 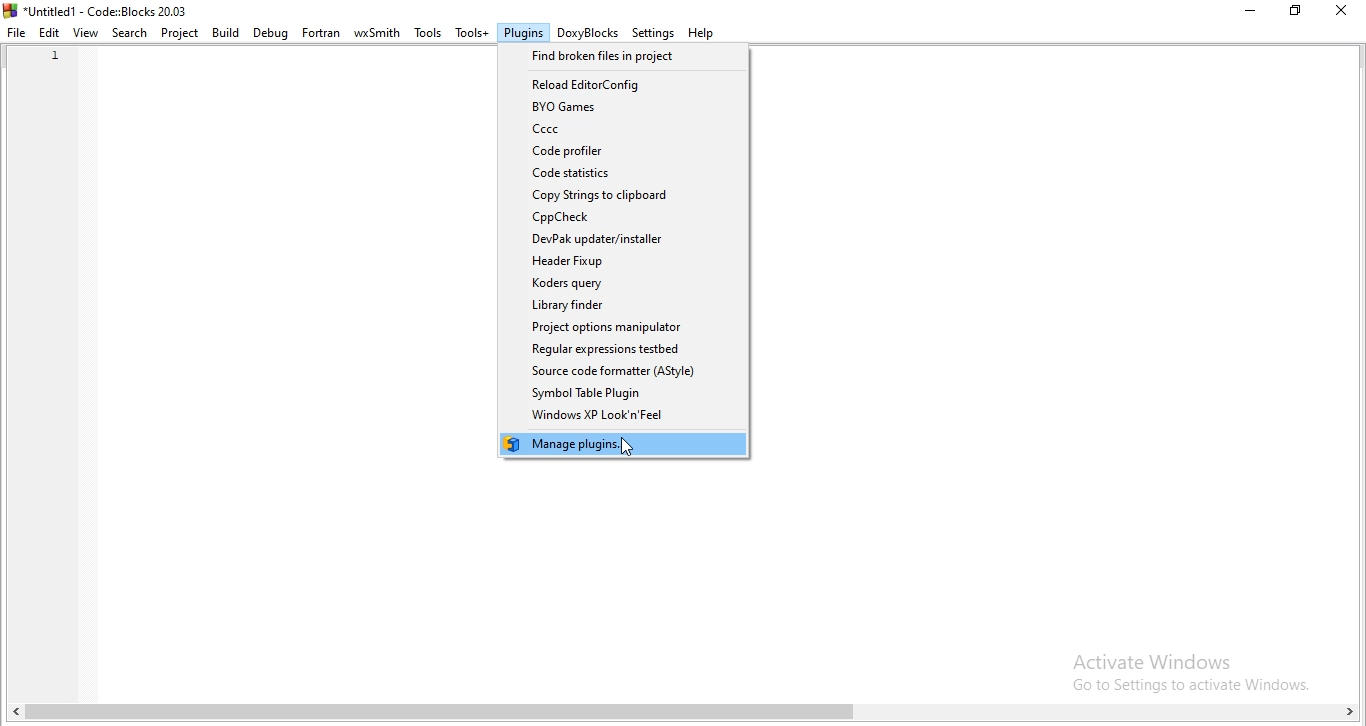 What do you see at coordinates (687, 715) in the screenshot?
I see `scroll bar` at bounding box center [687, 715].